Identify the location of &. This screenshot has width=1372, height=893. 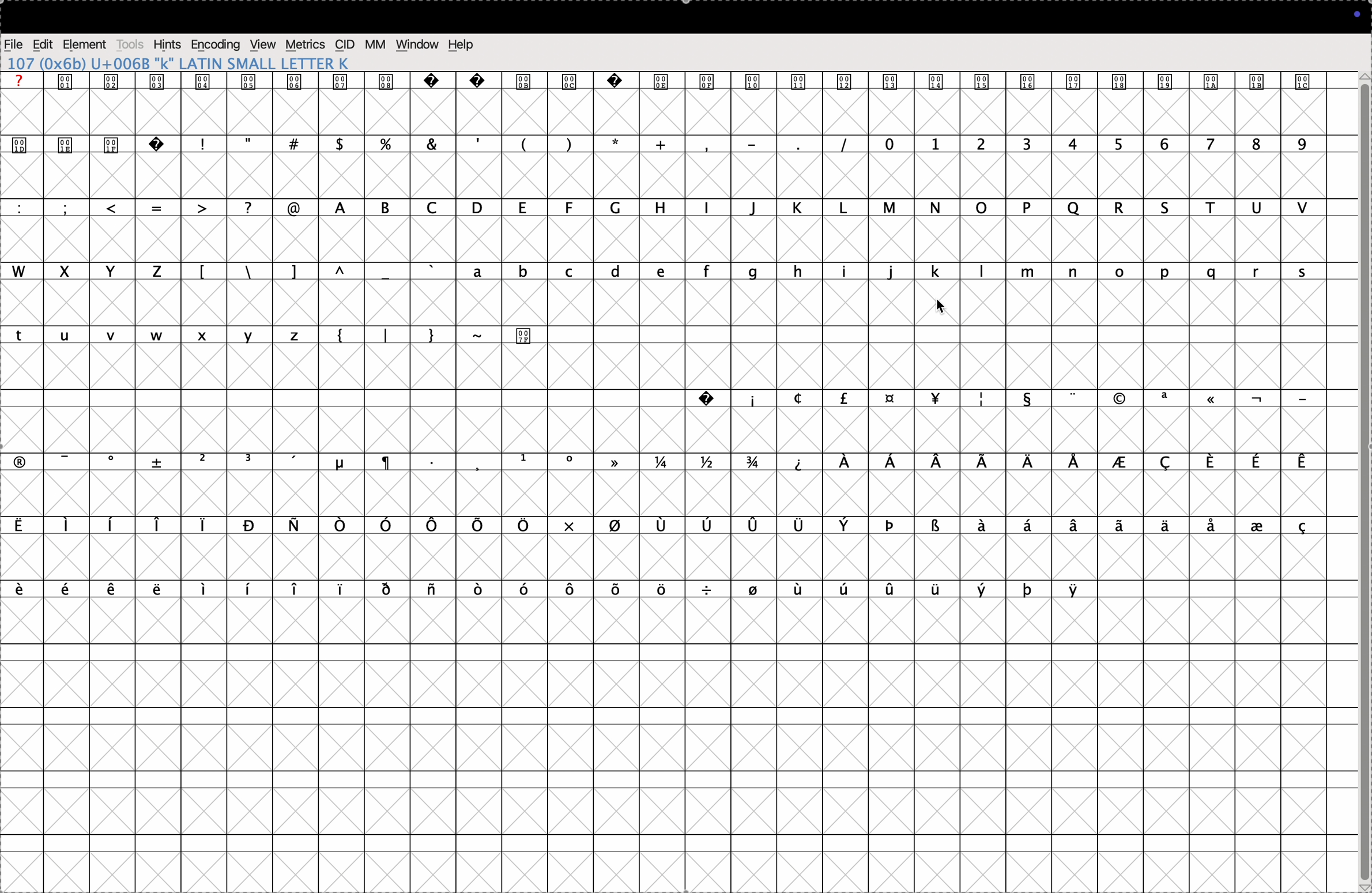
(431, 142).